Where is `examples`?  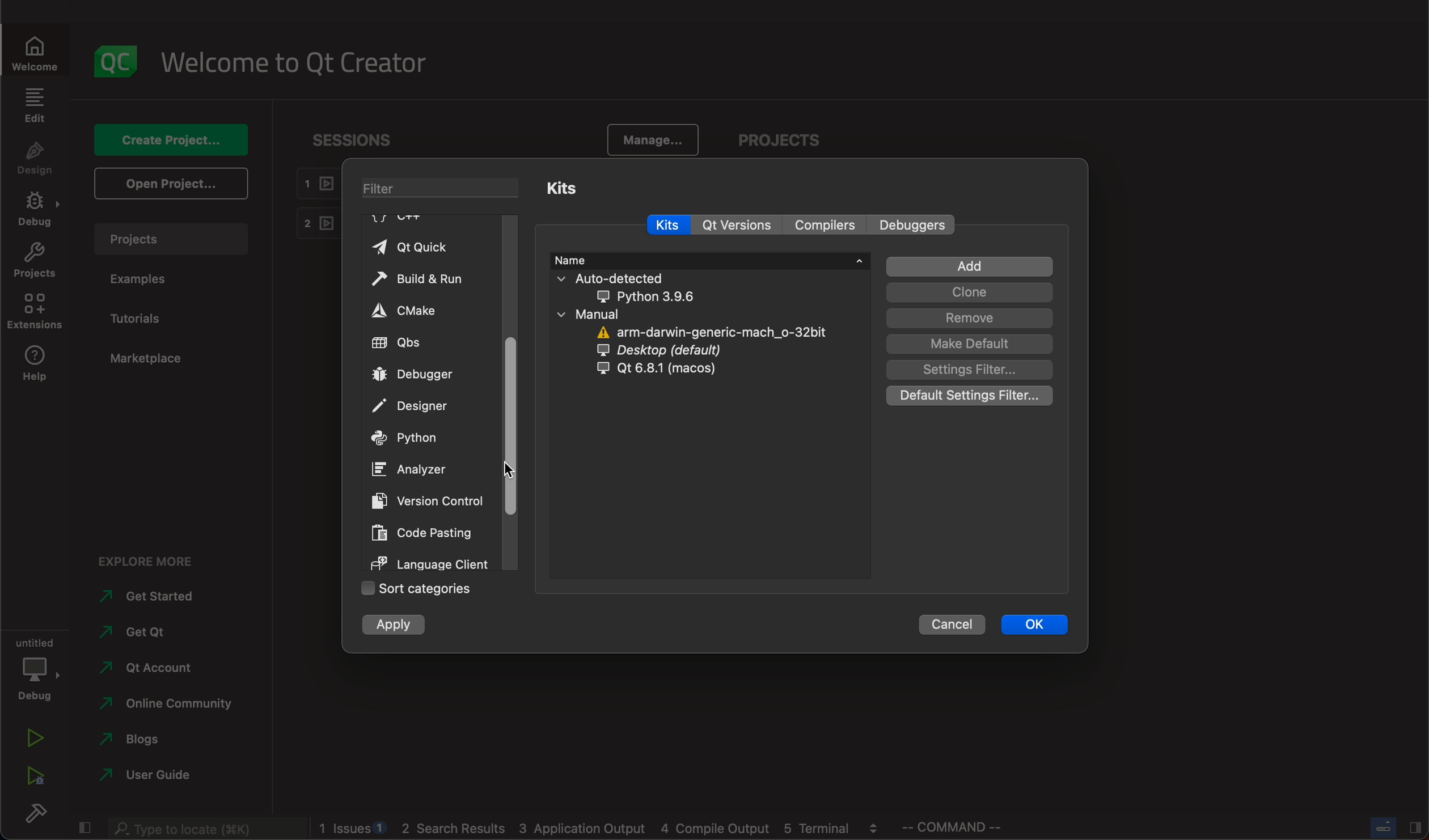 examples is located at coordinates (142, 282).